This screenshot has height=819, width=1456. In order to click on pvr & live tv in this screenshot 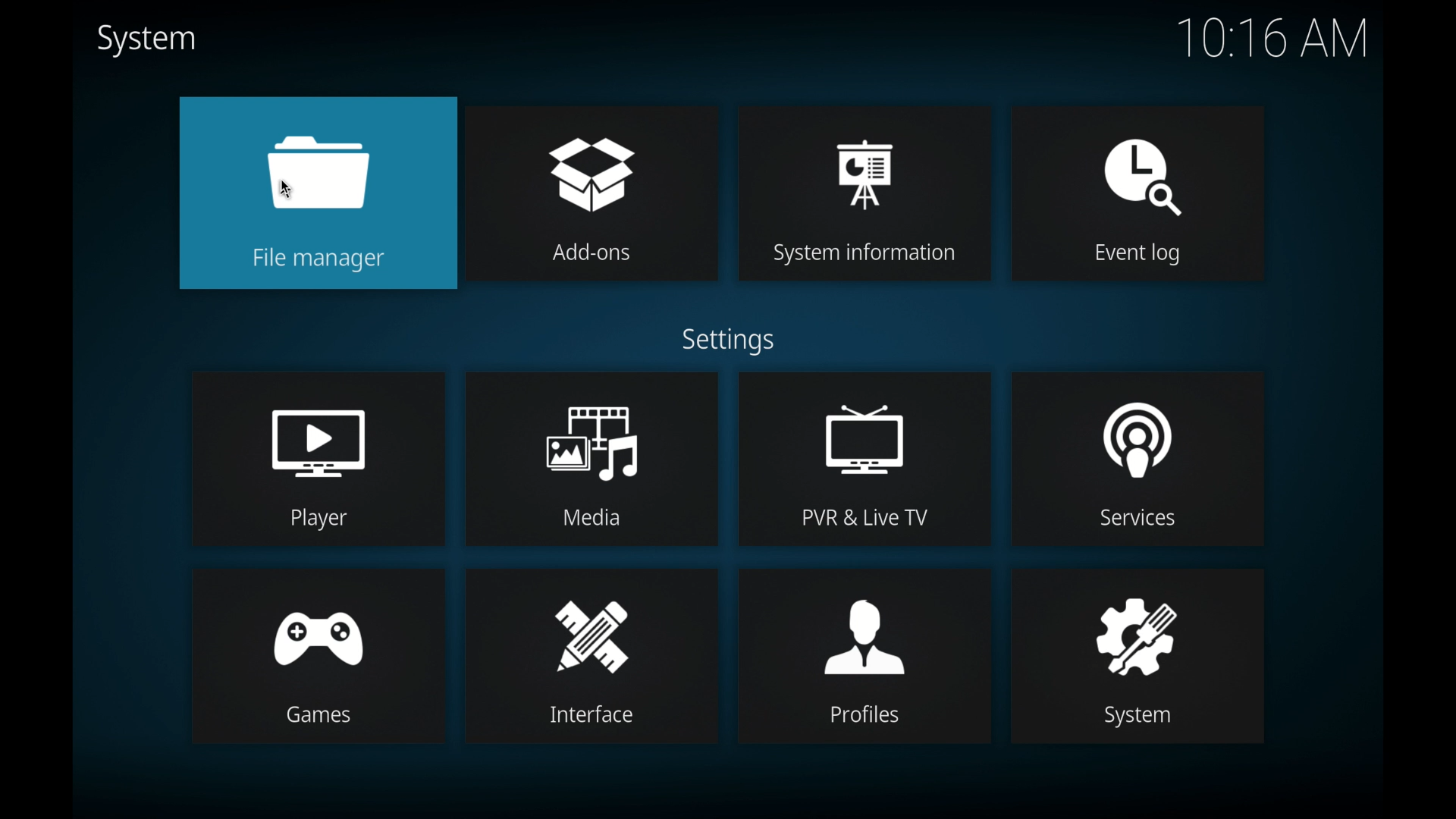, I will do `click(864, 458)`.